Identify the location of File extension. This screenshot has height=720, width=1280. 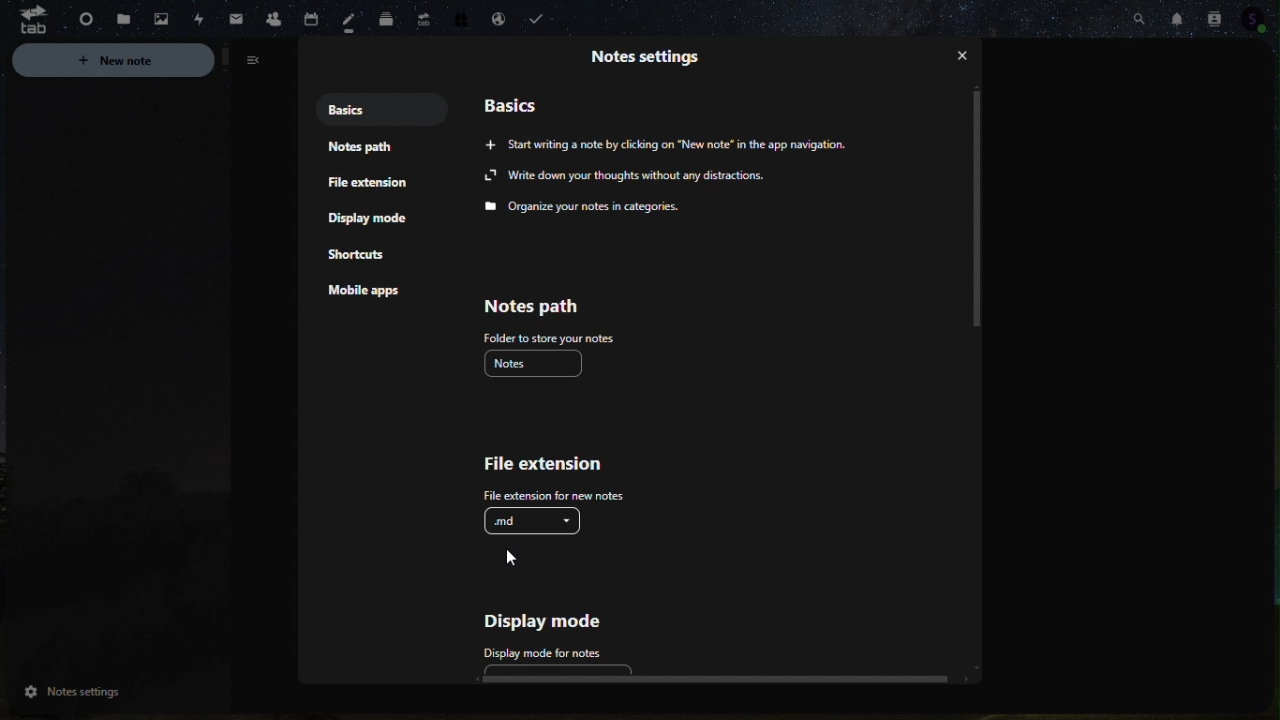
(540, 464).